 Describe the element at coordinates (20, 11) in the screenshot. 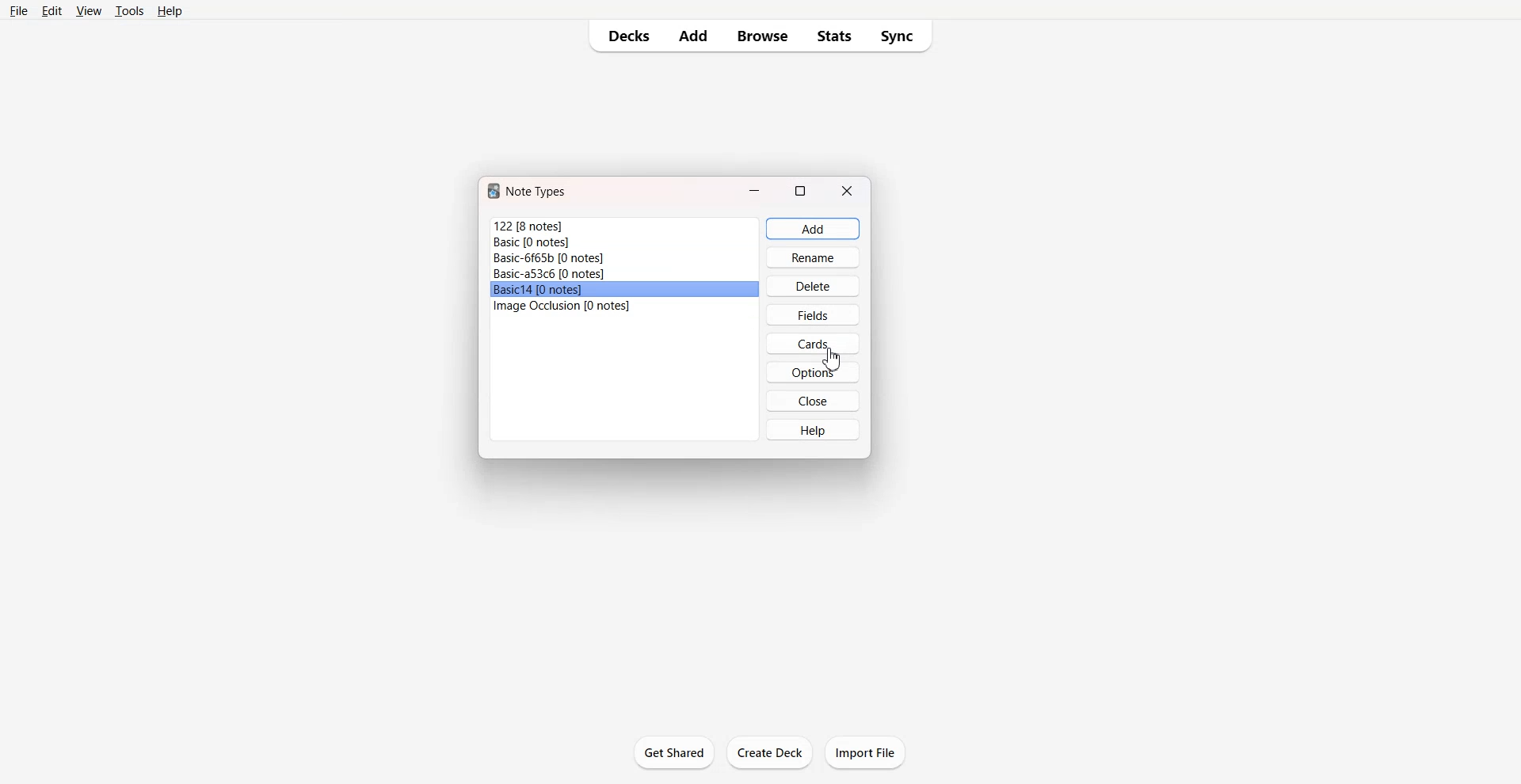

I see `File` at that location.